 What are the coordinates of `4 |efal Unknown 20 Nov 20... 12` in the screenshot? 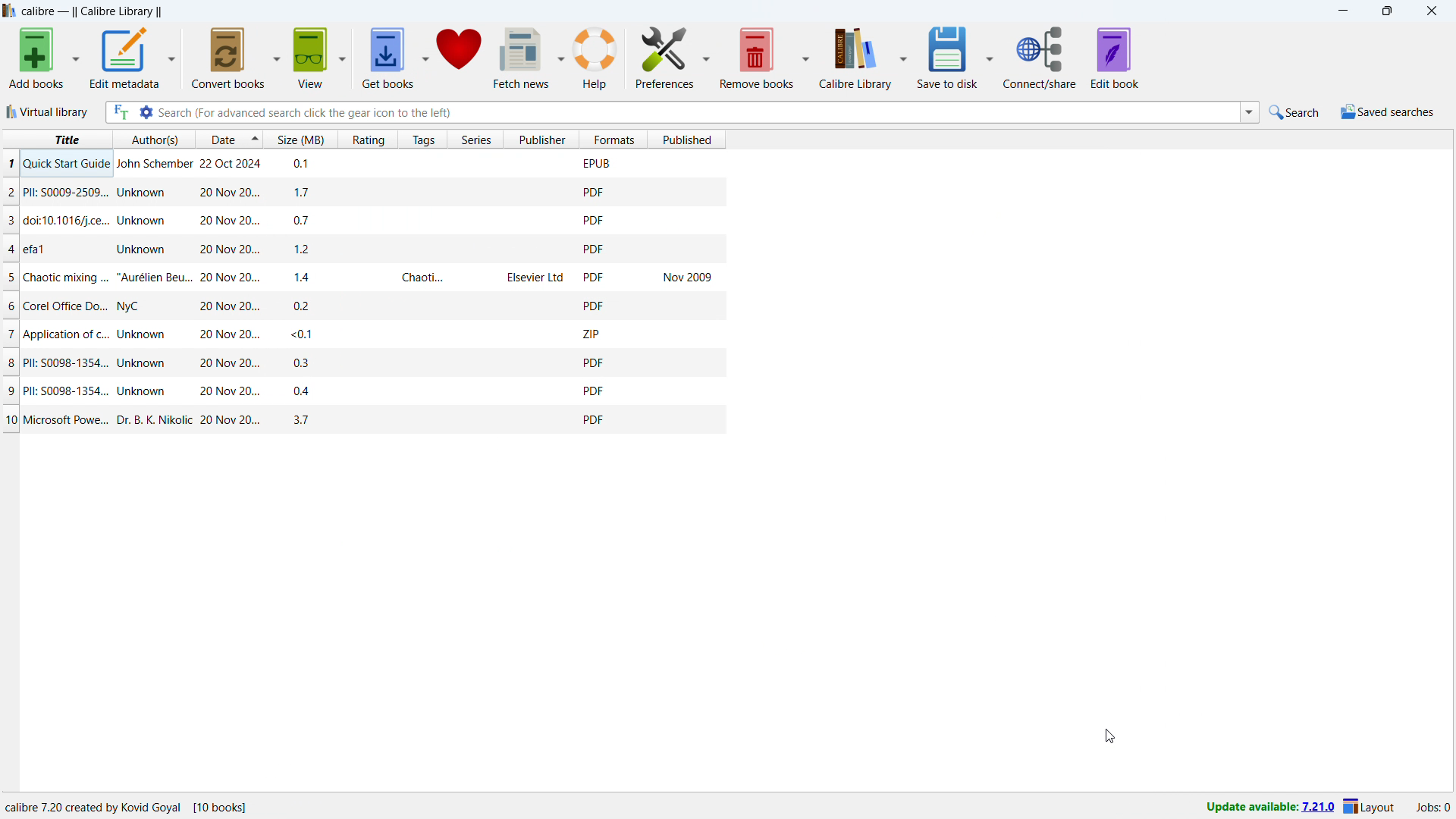 It's located at (363, 246).